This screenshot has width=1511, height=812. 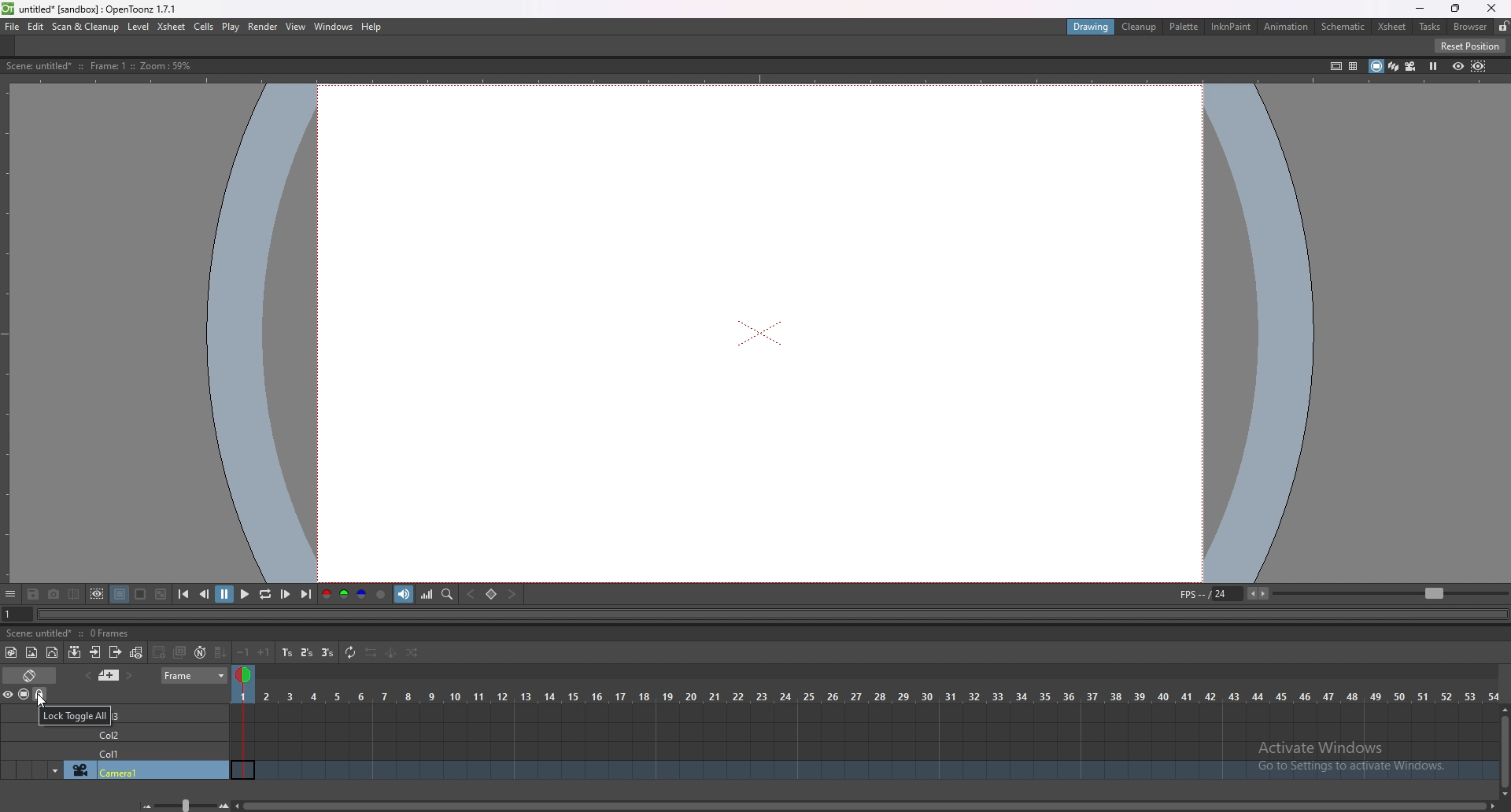 What do you see at coordinates (41, 695) in the screenshot?
I see `lock` at bounding box center [41, 695].